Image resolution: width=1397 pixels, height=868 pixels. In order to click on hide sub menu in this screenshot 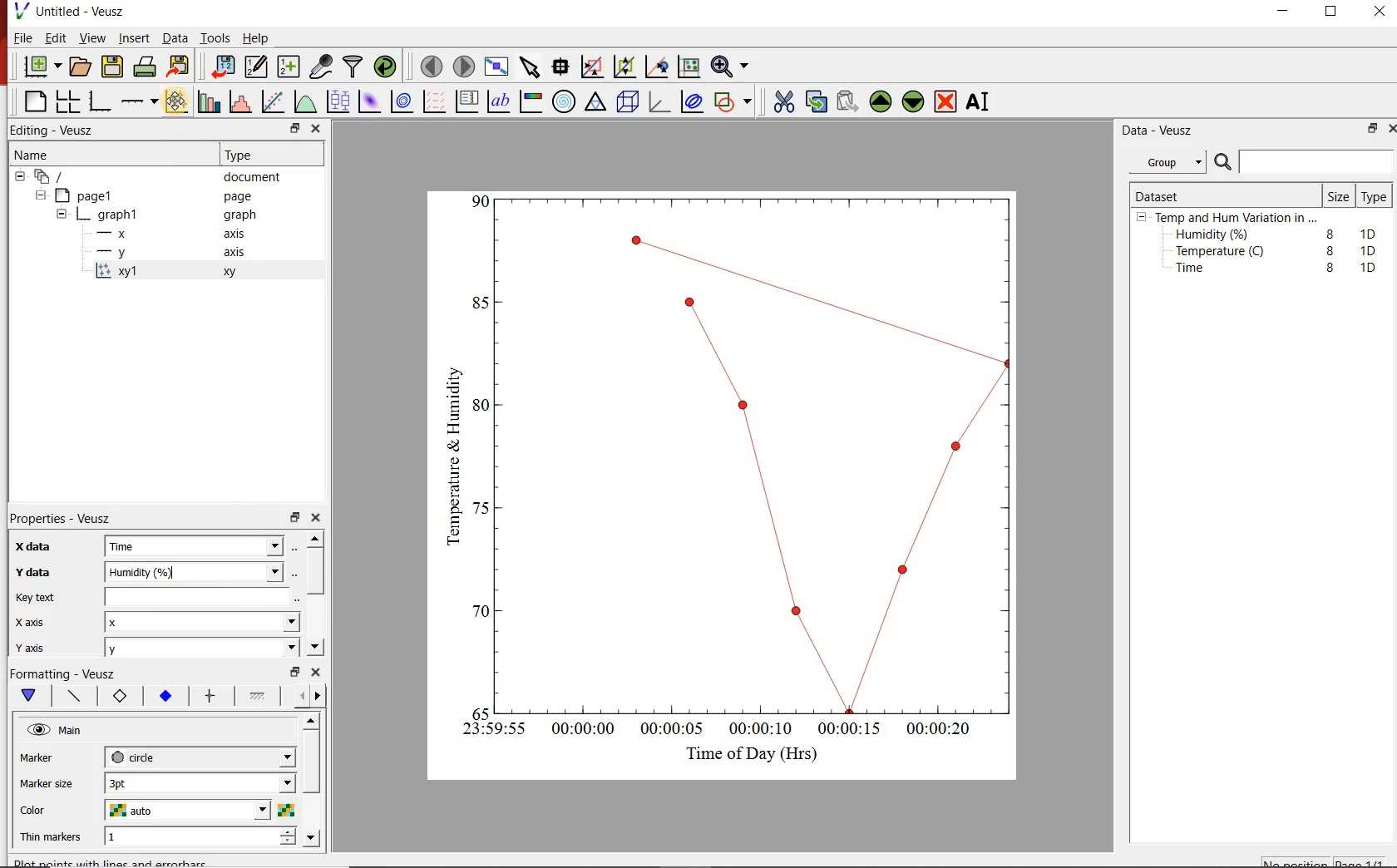, I will do `click(1142, 219)`.